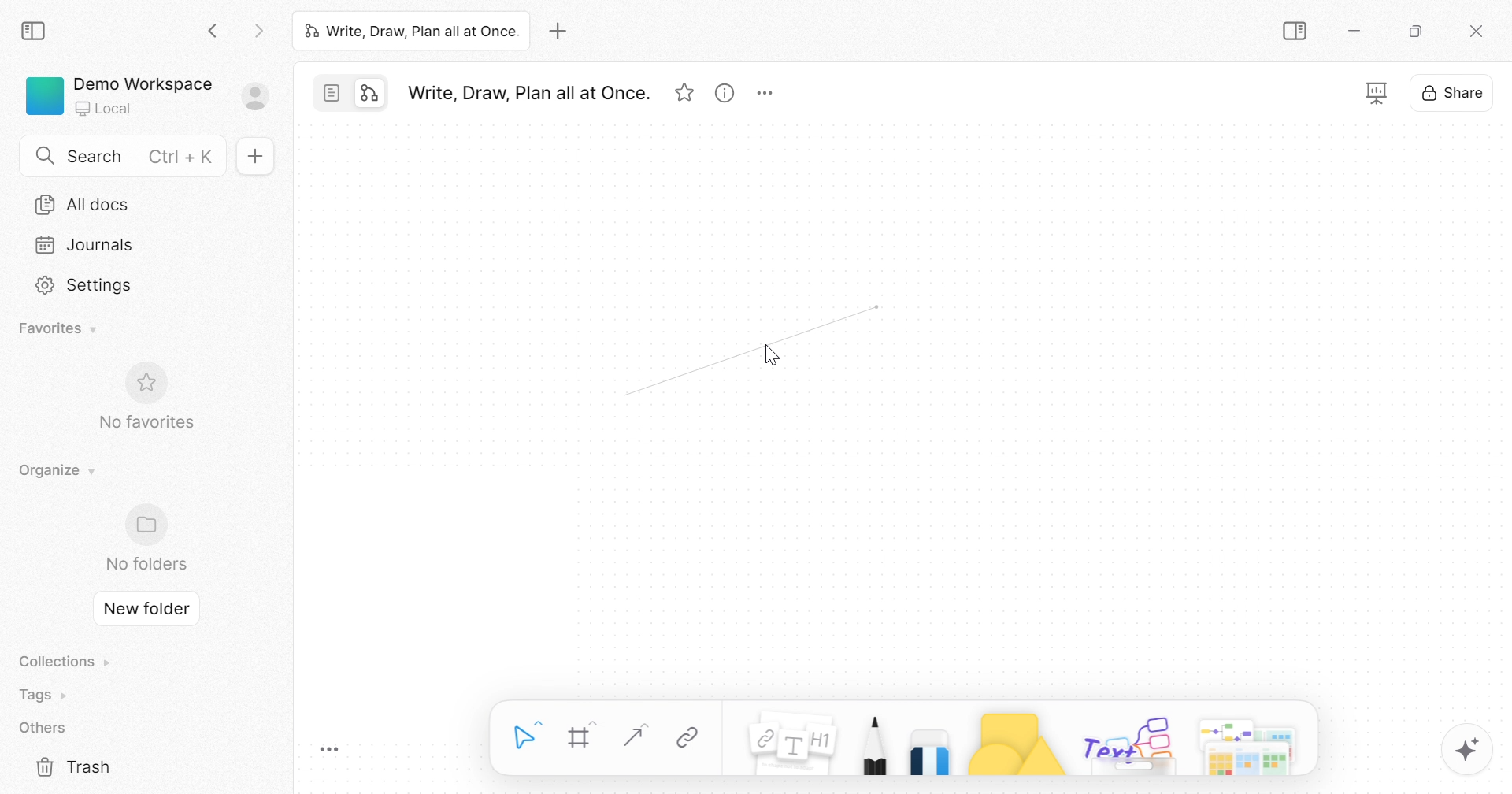 This screenshot has width=1512, height=794. What do you see at coordinates (146, 563) in the screenshot?
I see `No folders` at bounding box center [146, 563].